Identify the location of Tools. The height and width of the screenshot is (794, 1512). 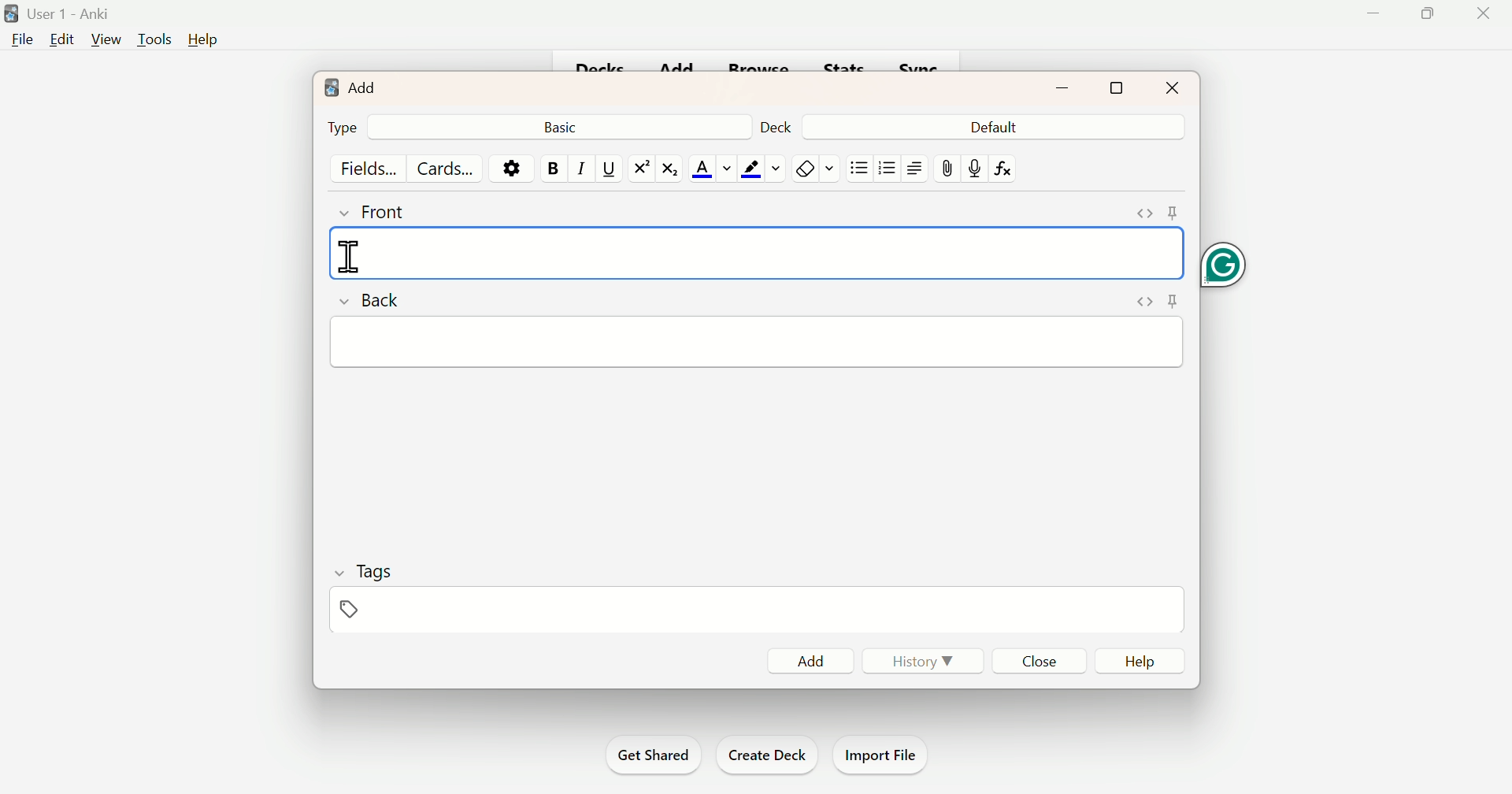
(153, 40).